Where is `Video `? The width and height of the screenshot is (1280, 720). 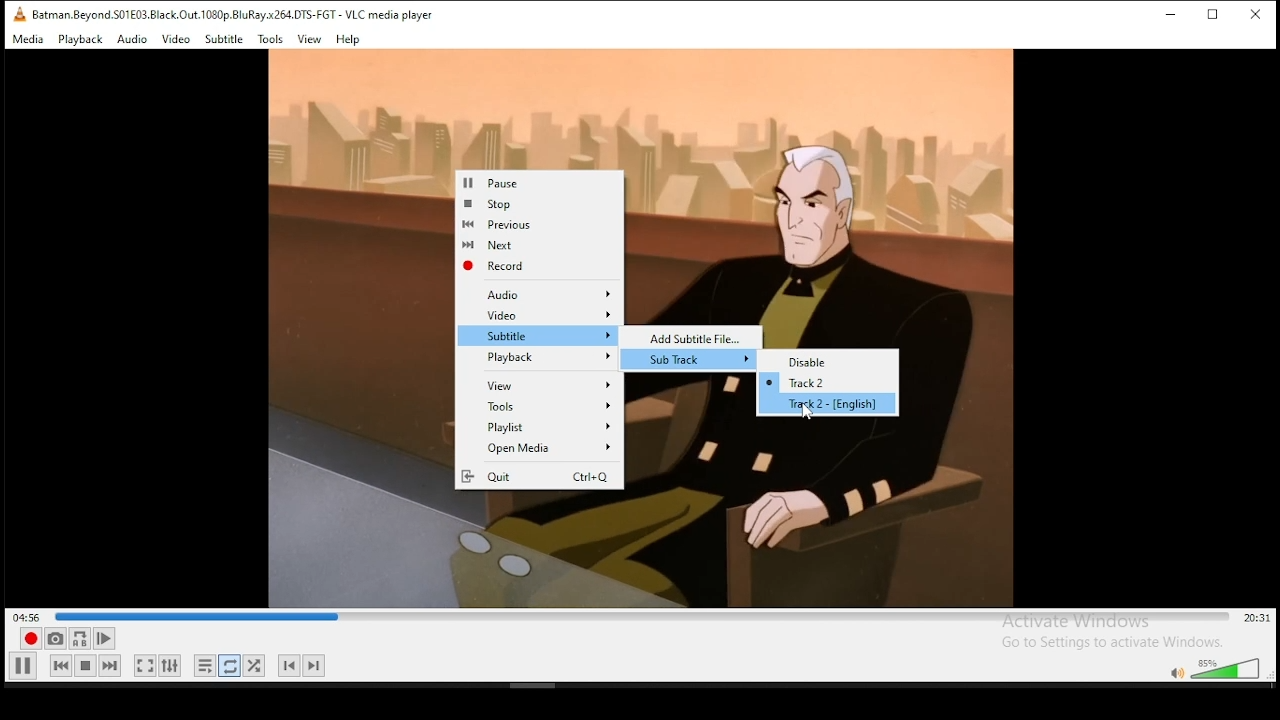
Video  is located at coordinates (543, 315).